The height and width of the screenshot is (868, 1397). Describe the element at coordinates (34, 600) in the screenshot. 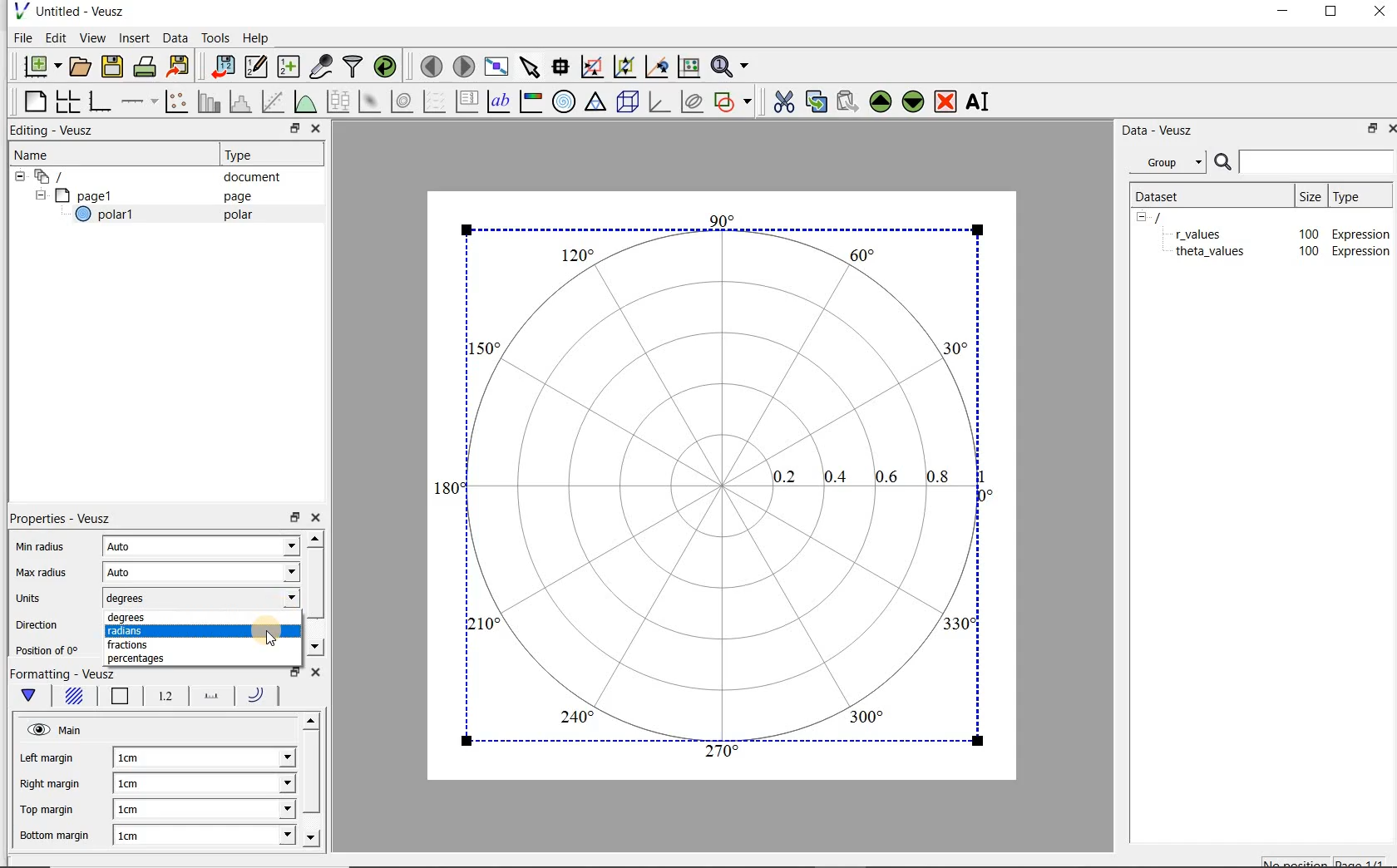

I see `Units` at that location.